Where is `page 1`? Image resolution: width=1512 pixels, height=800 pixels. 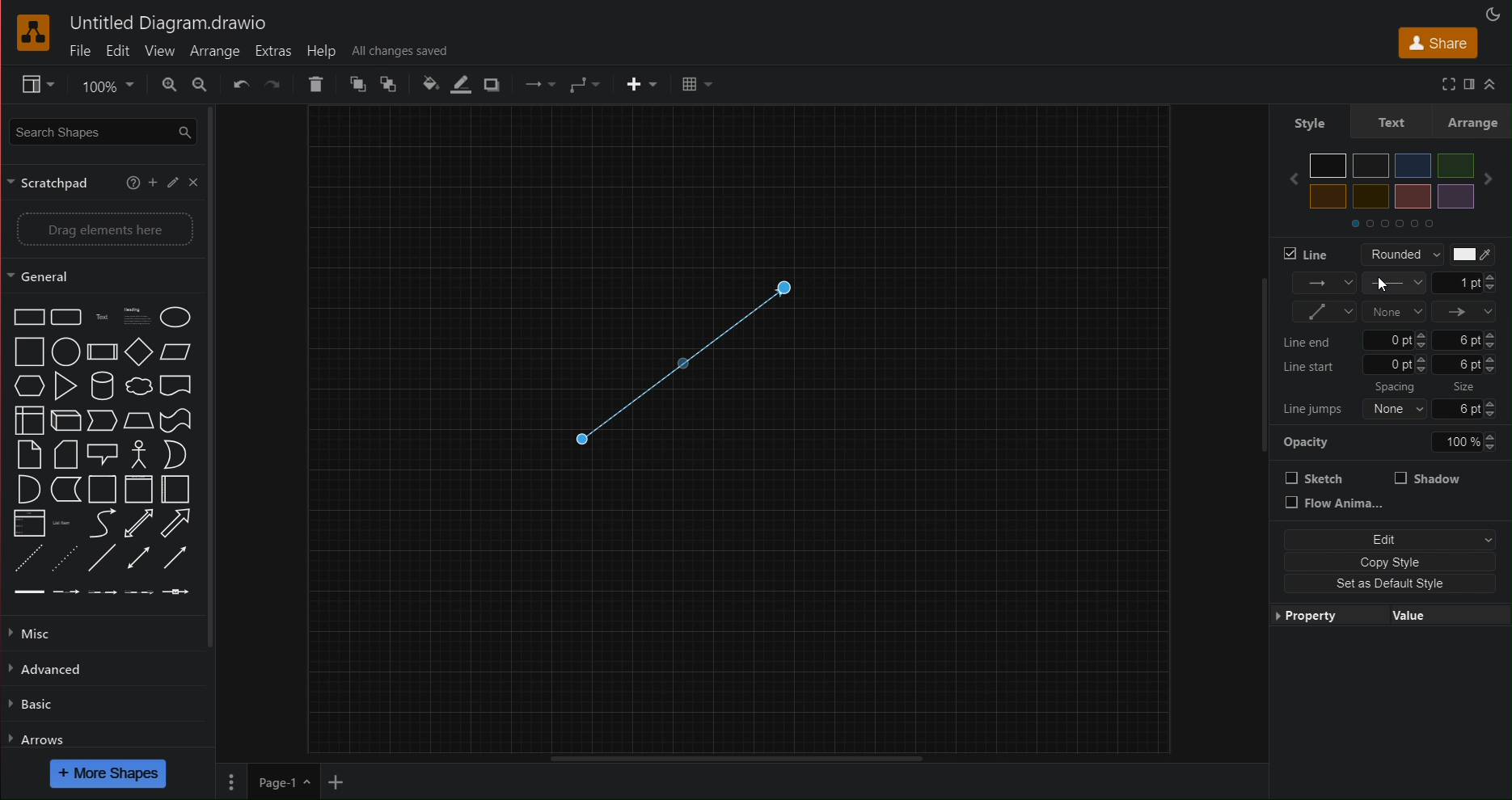 page 1 is located at coordinates (282, 781).